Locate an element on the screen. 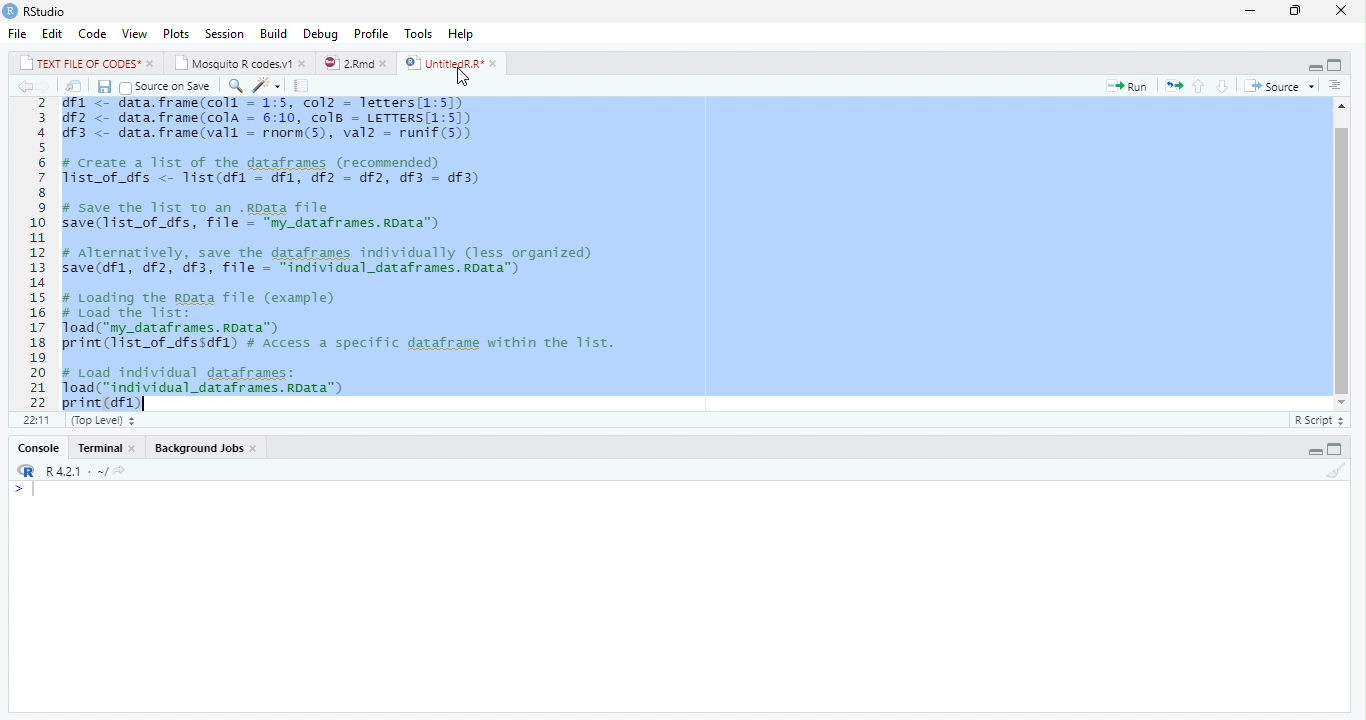 The height and width of the screenshot is (720, 1366). Source is located at coordinates (1277, 85).